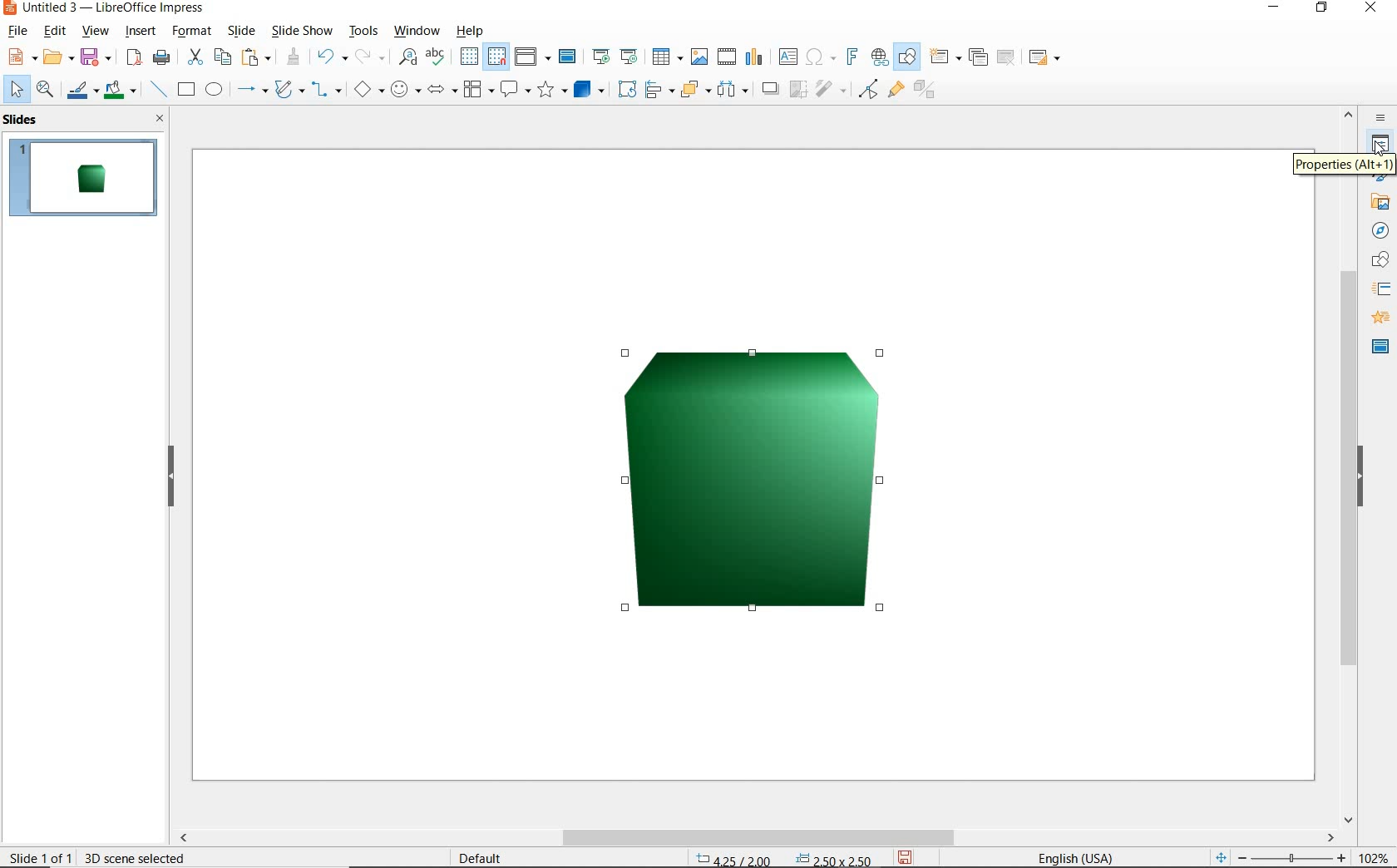 The height and width of the screenshot is (868, 1397). I want to click on PROPERTIES, so click(1345, 165).